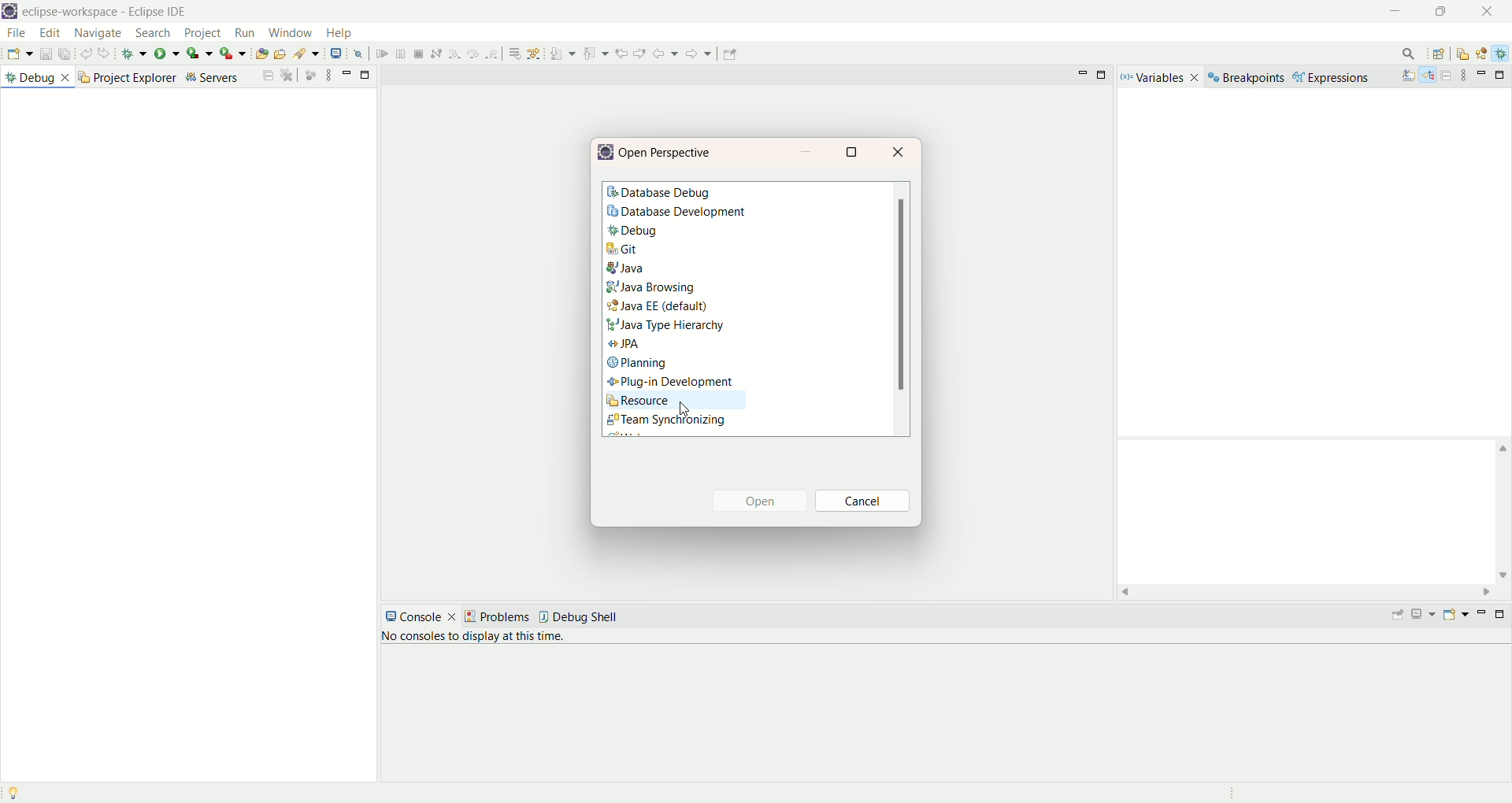  Describe the element at coordinates (1160, 76) in the screenshot. I see `variables` at that location.